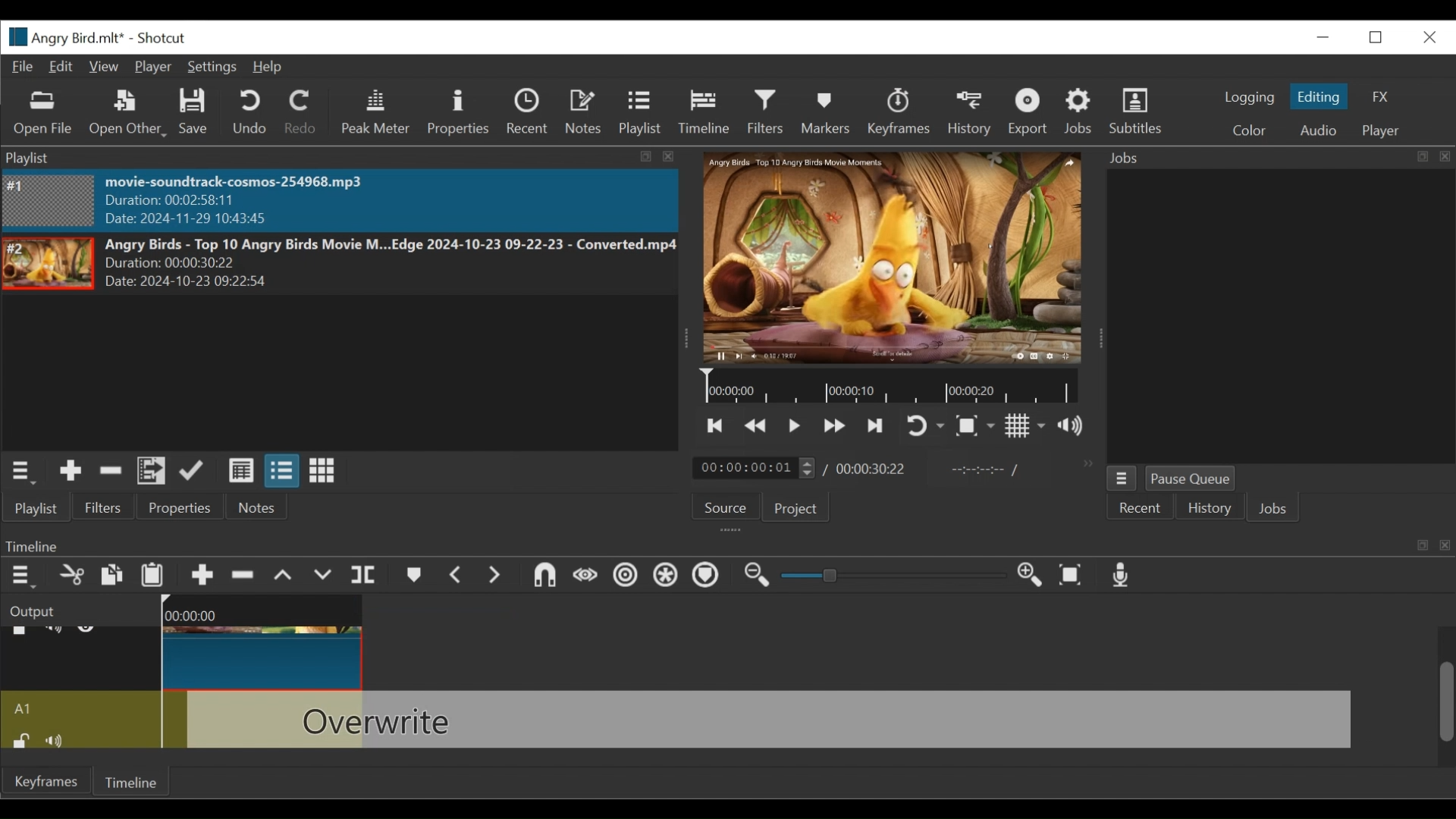  I want to click on Zoom timeline to fit, so click(1073, 575).